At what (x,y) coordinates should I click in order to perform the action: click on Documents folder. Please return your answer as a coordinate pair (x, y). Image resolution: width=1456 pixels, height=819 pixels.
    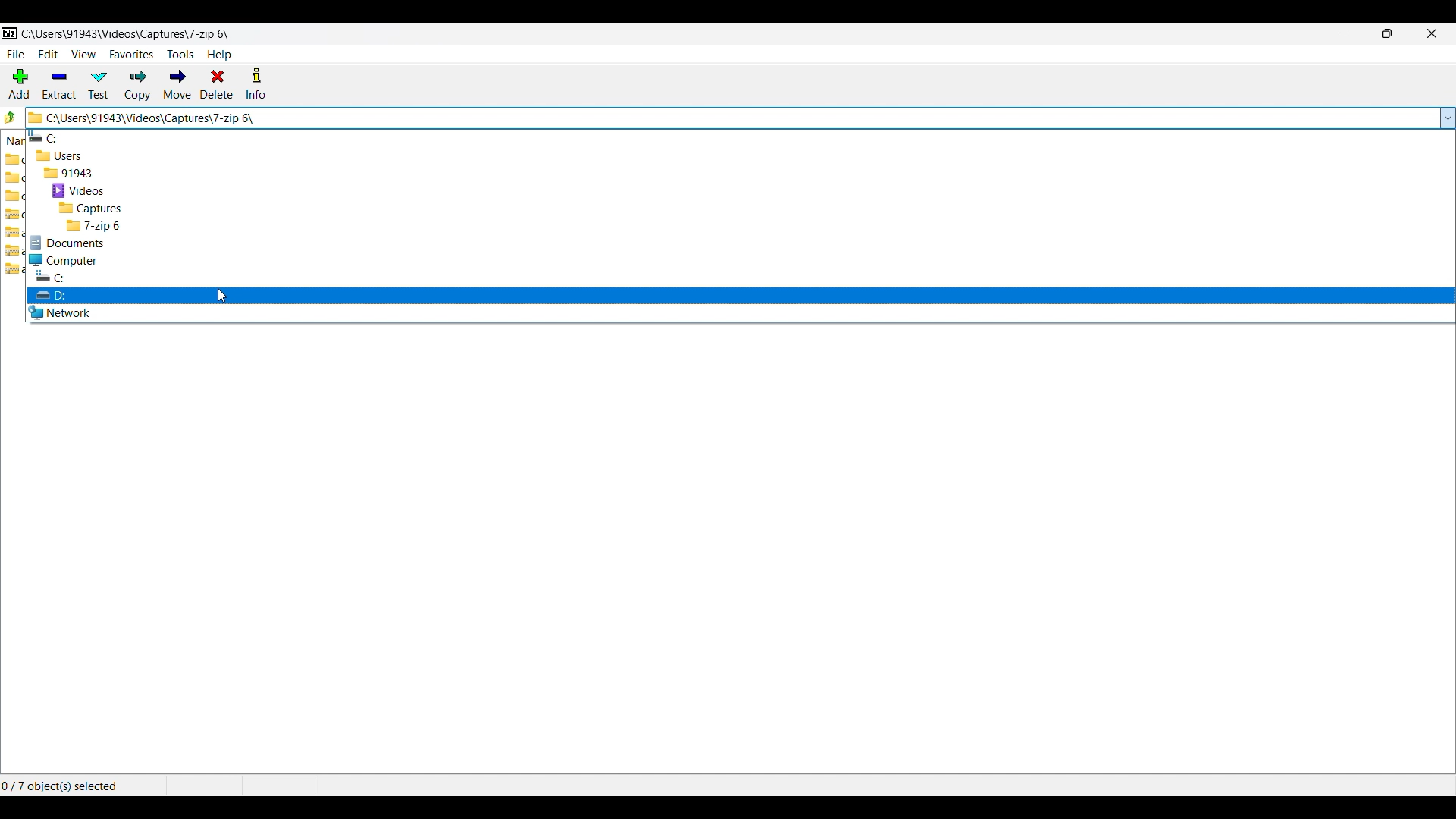
    Looking at the image, I should click on (740, 243).